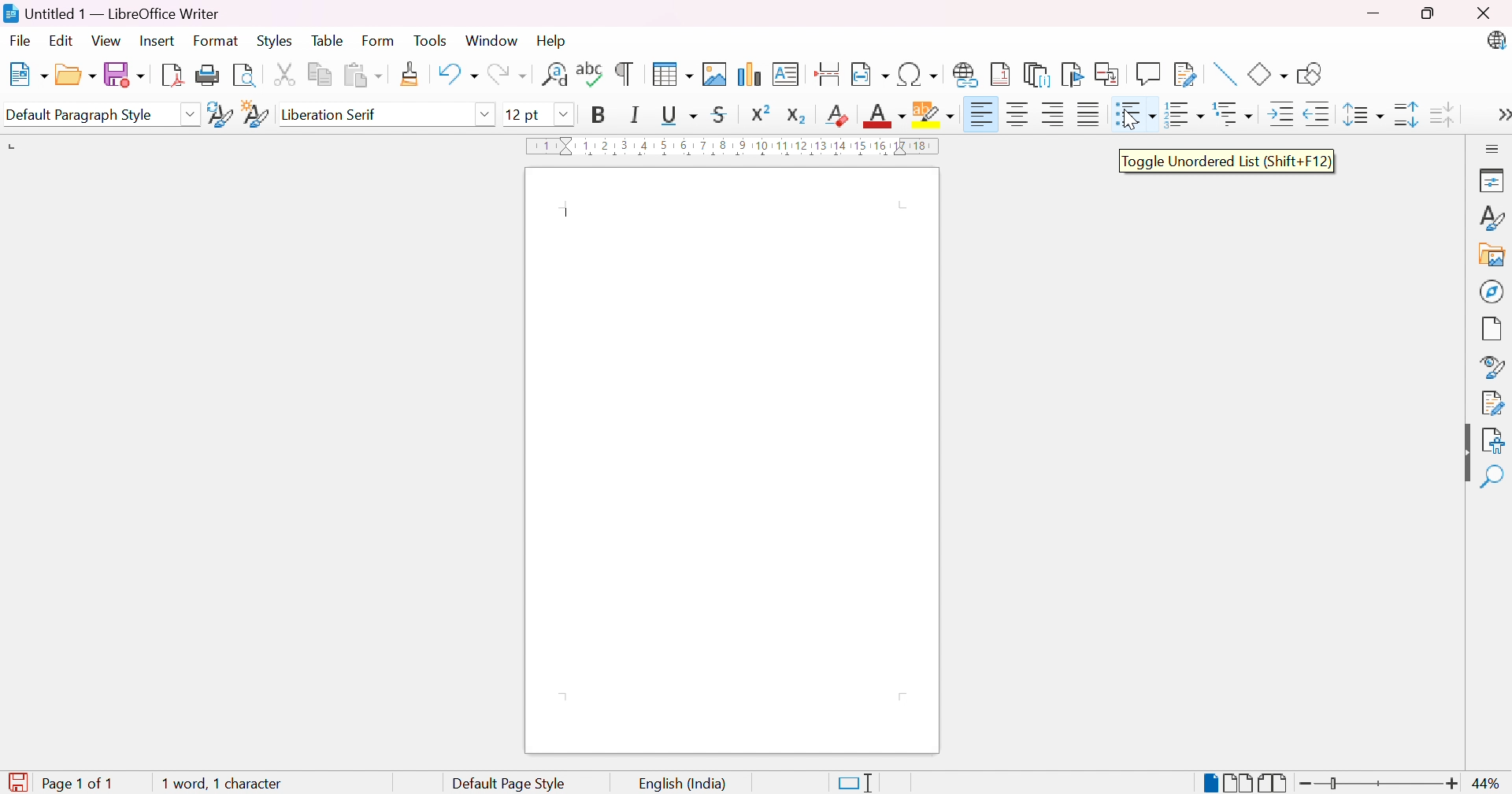 This screenshot has width=1512, height=794. What do you see at coordinates (1238, 784) in the screenshot?
I see `Multiple-page view` at bounding box center [1238, 784].